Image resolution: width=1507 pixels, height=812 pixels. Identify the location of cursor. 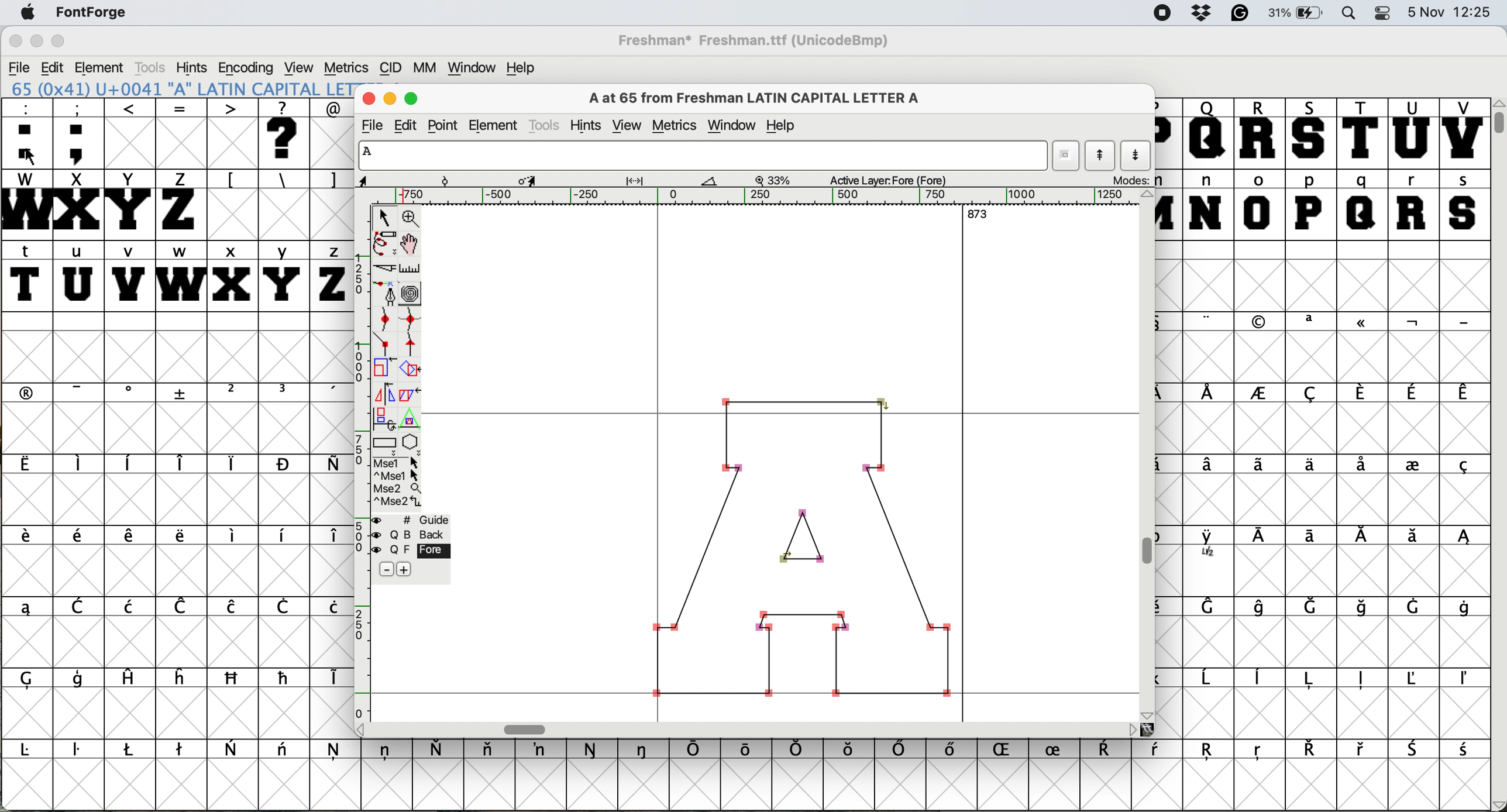
(33, 160).